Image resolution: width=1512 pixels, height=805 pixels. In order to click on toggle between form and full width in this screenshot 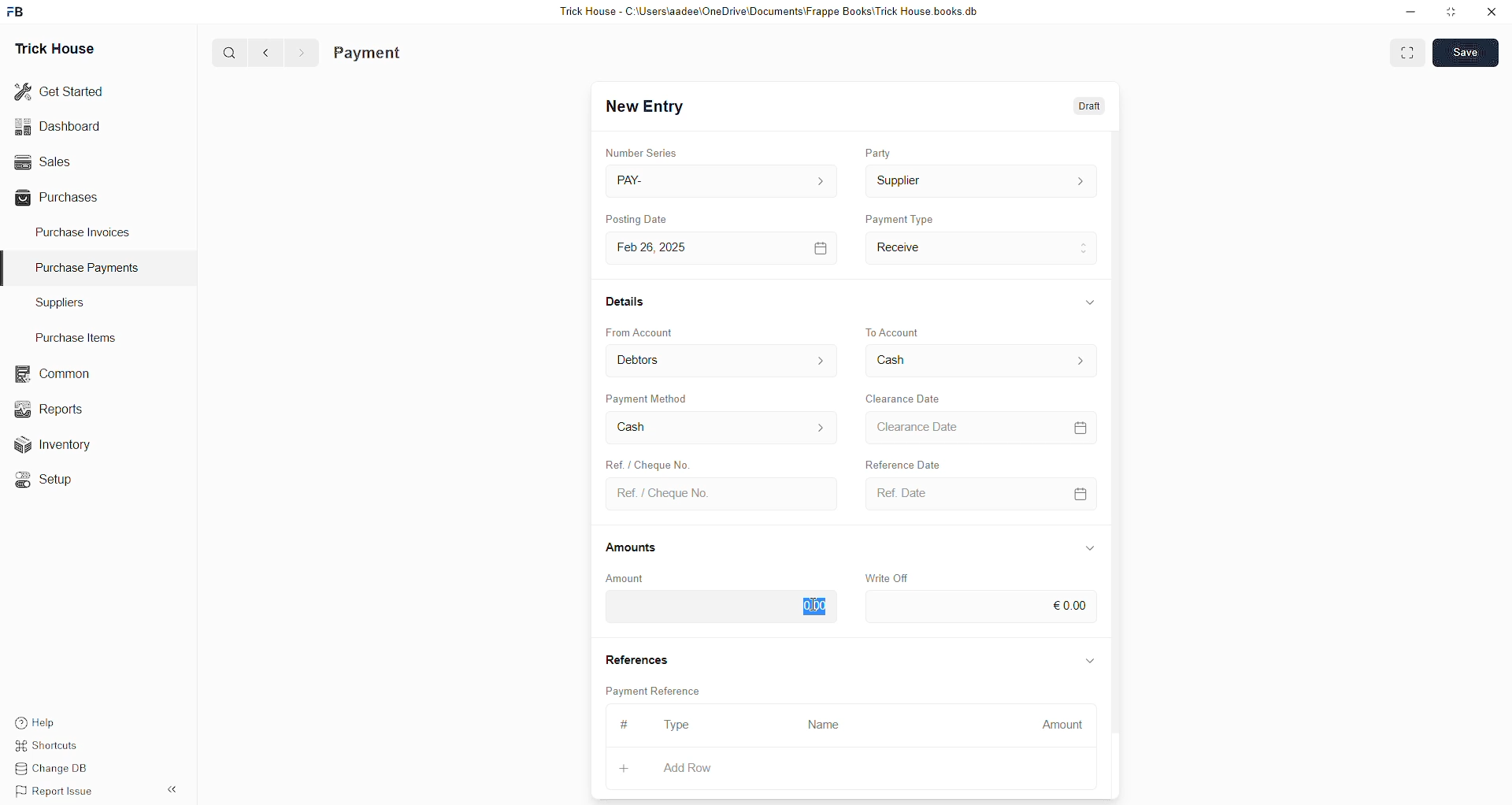, I will do `click(1409, 54)`.